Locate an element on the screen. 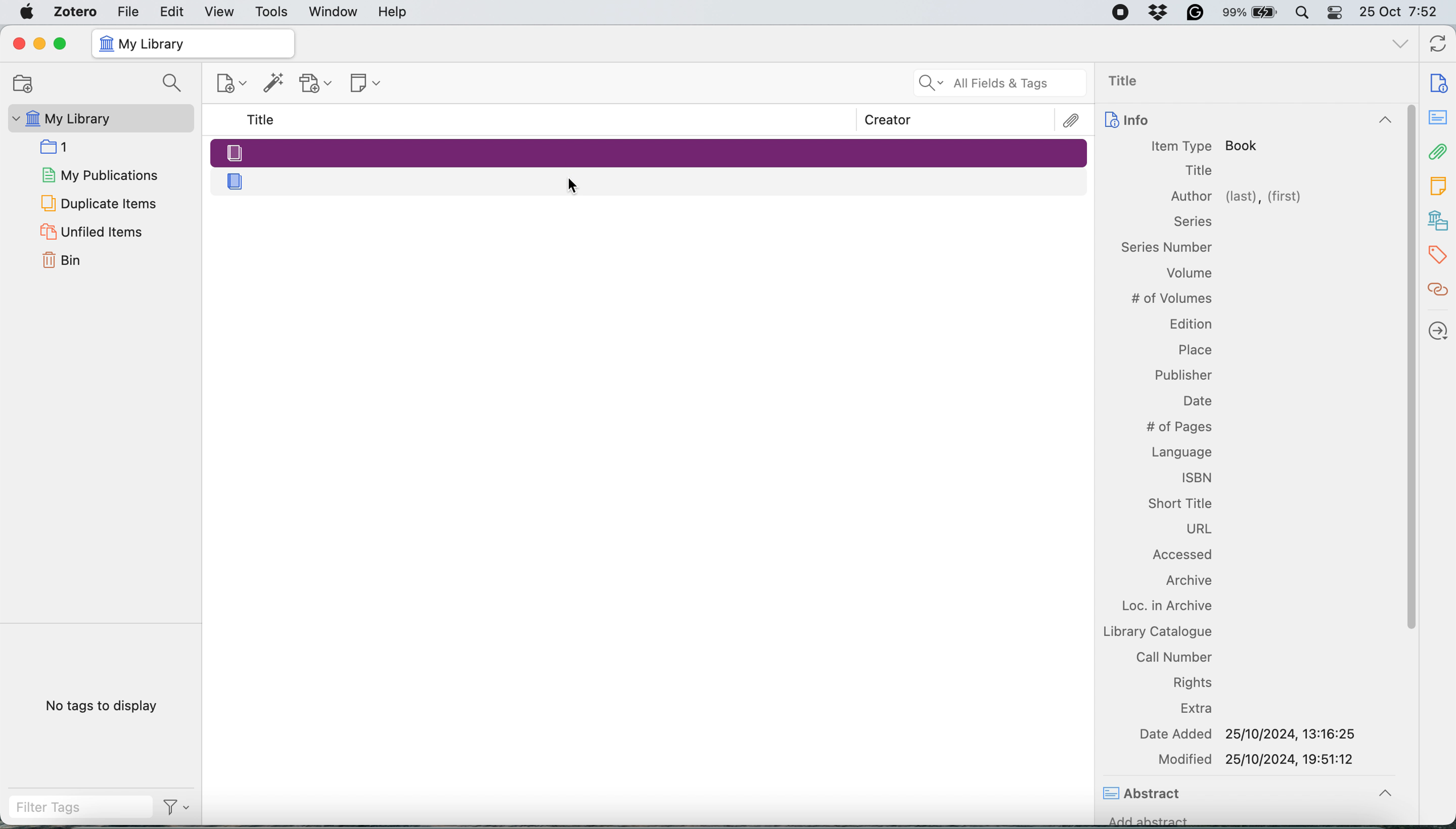 The image size is (1456, 829). Add abstract  is located at coordinates (1149, 823).